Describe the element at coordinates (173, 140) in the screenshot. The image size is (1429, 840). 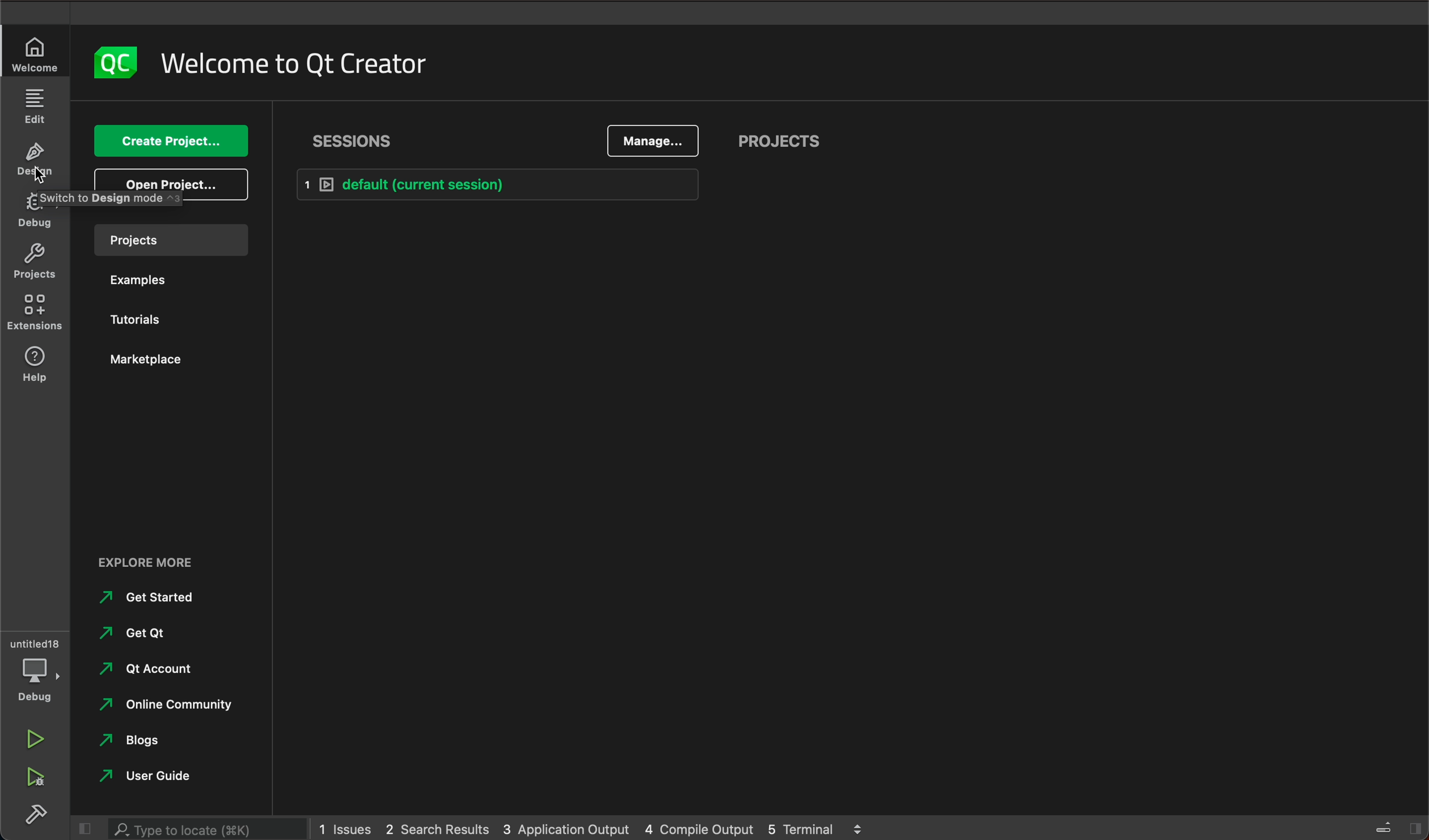
I see `create project` at that location.